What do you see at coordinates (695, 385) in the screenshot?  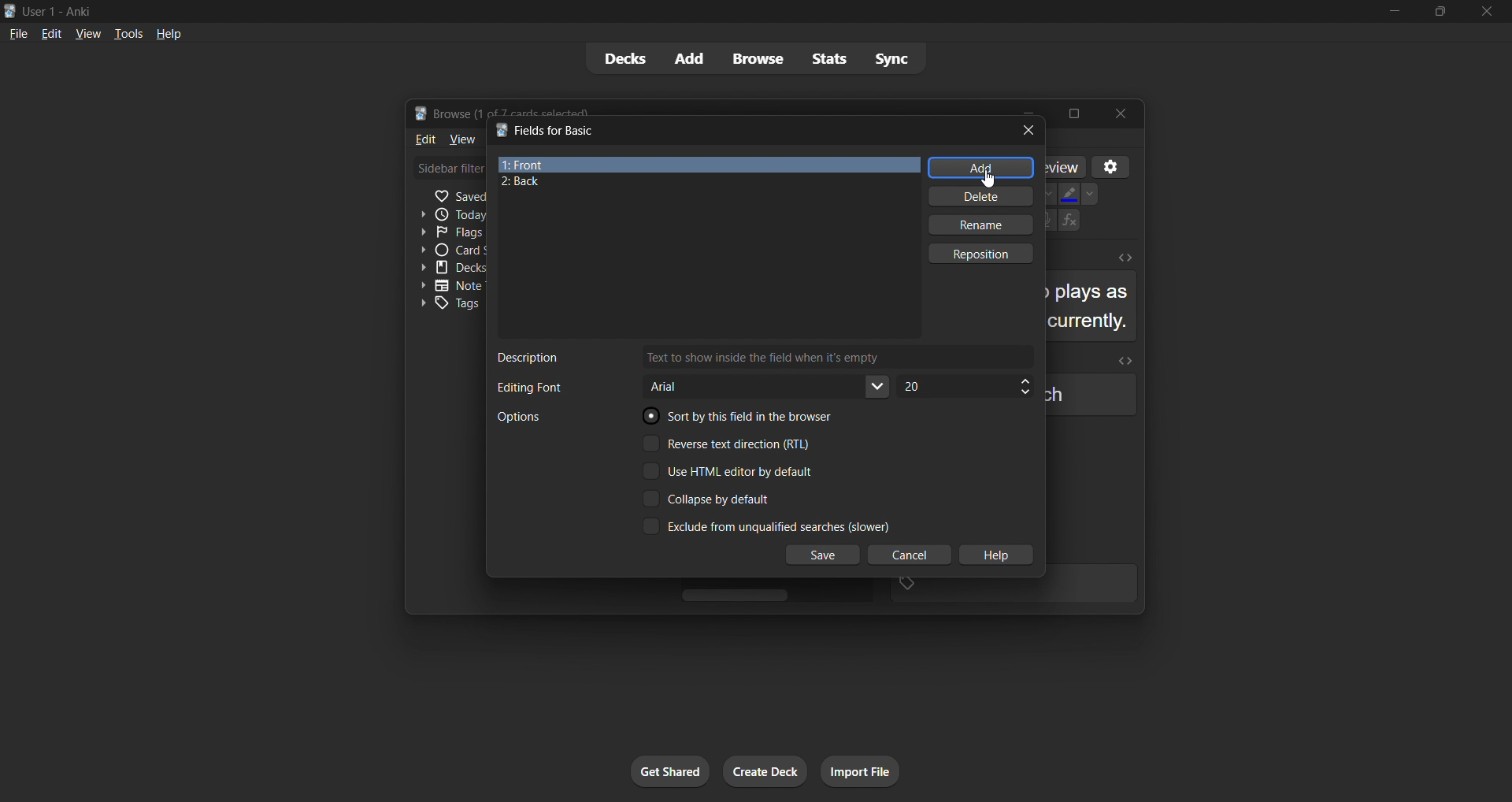 I see `field font` at bounding box center [695, 385].